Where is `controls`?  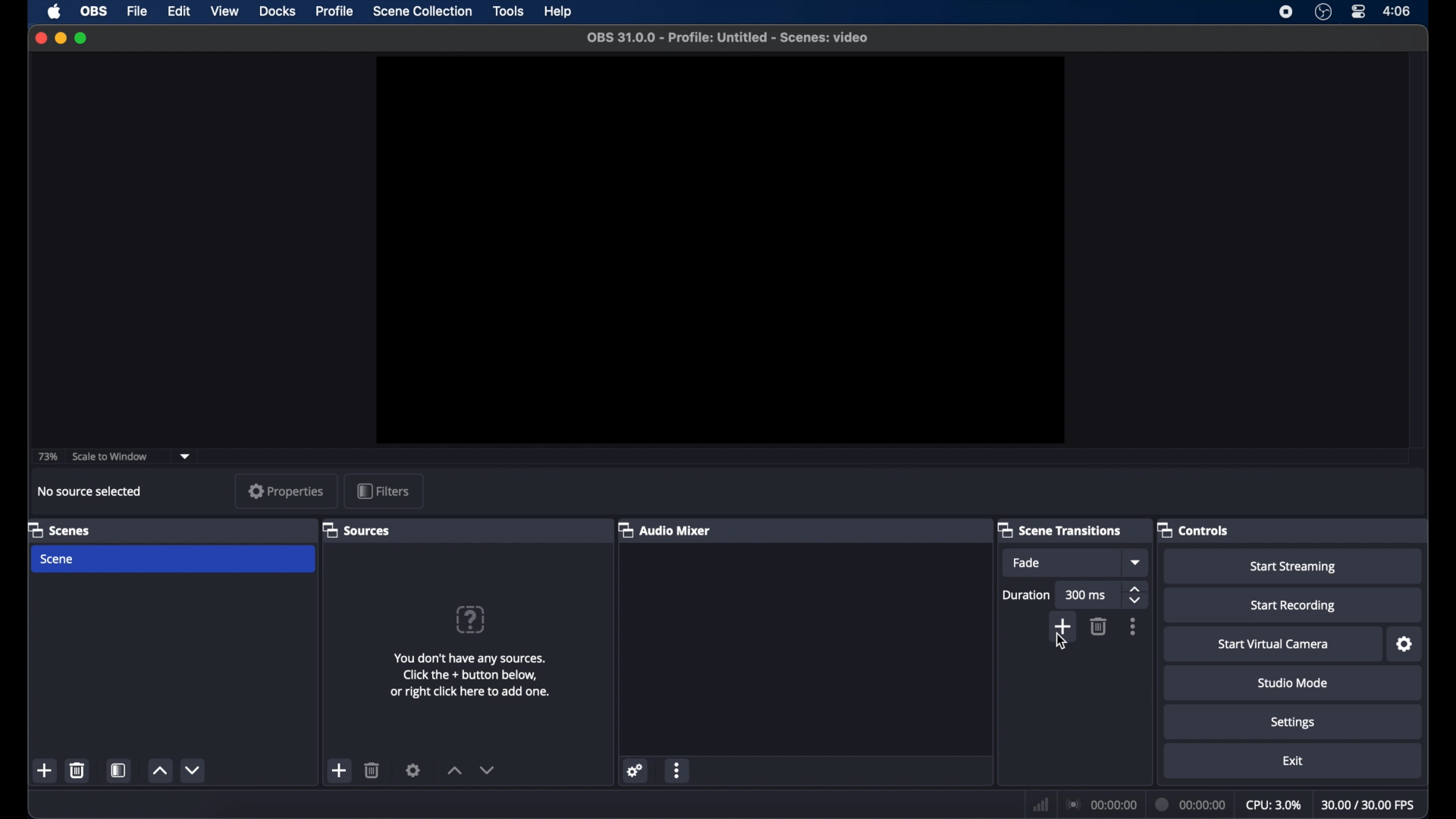
controls is located at coordinates (1194, 531).